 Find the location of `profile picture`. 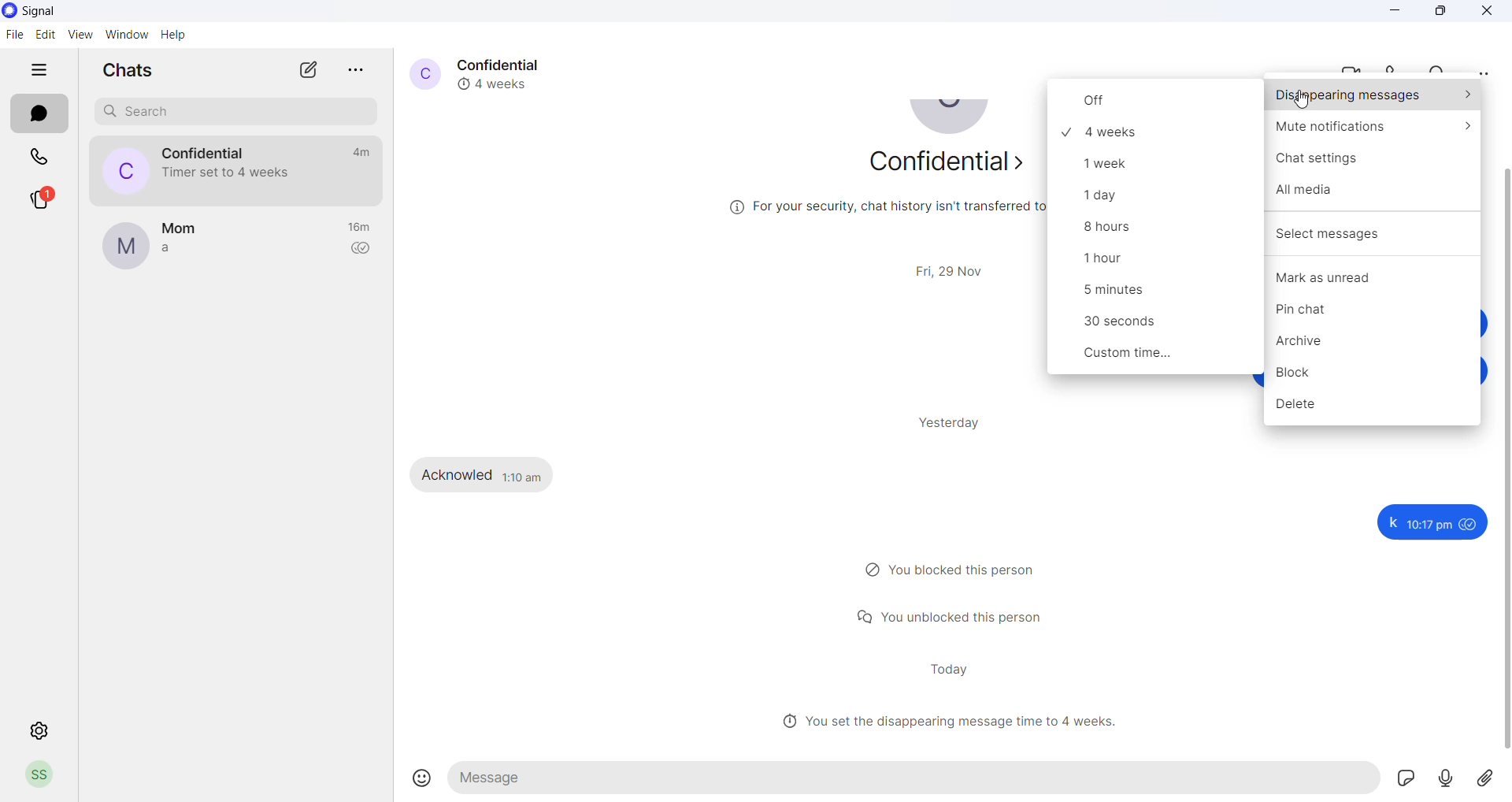

profile picture is located at coordinates (117, 170).